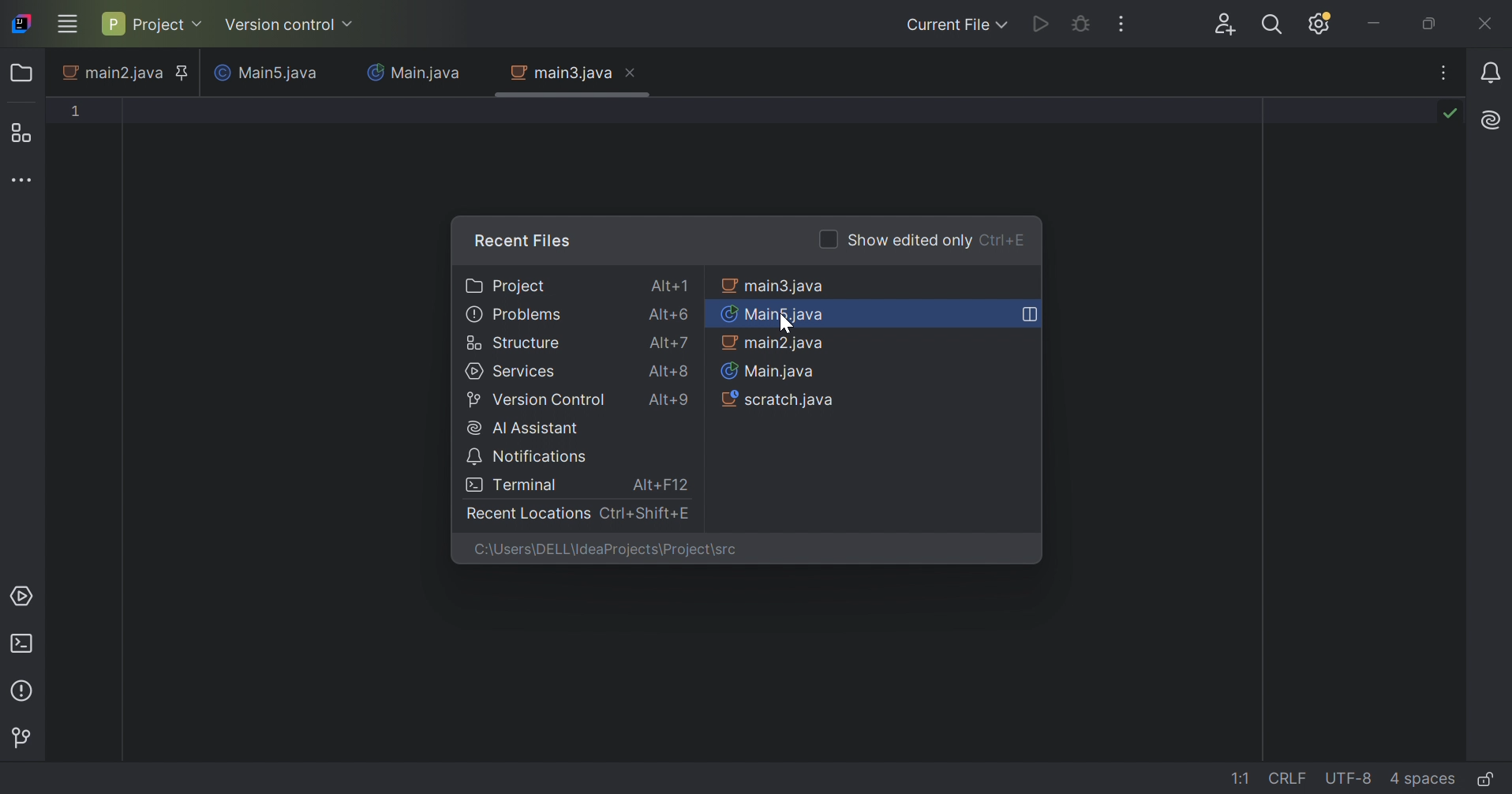 The height and width of the screenshot is (794, 1512). Describe the element at coordinates (661, 484) in the screenshot. I see `Alt+F12` at that location.